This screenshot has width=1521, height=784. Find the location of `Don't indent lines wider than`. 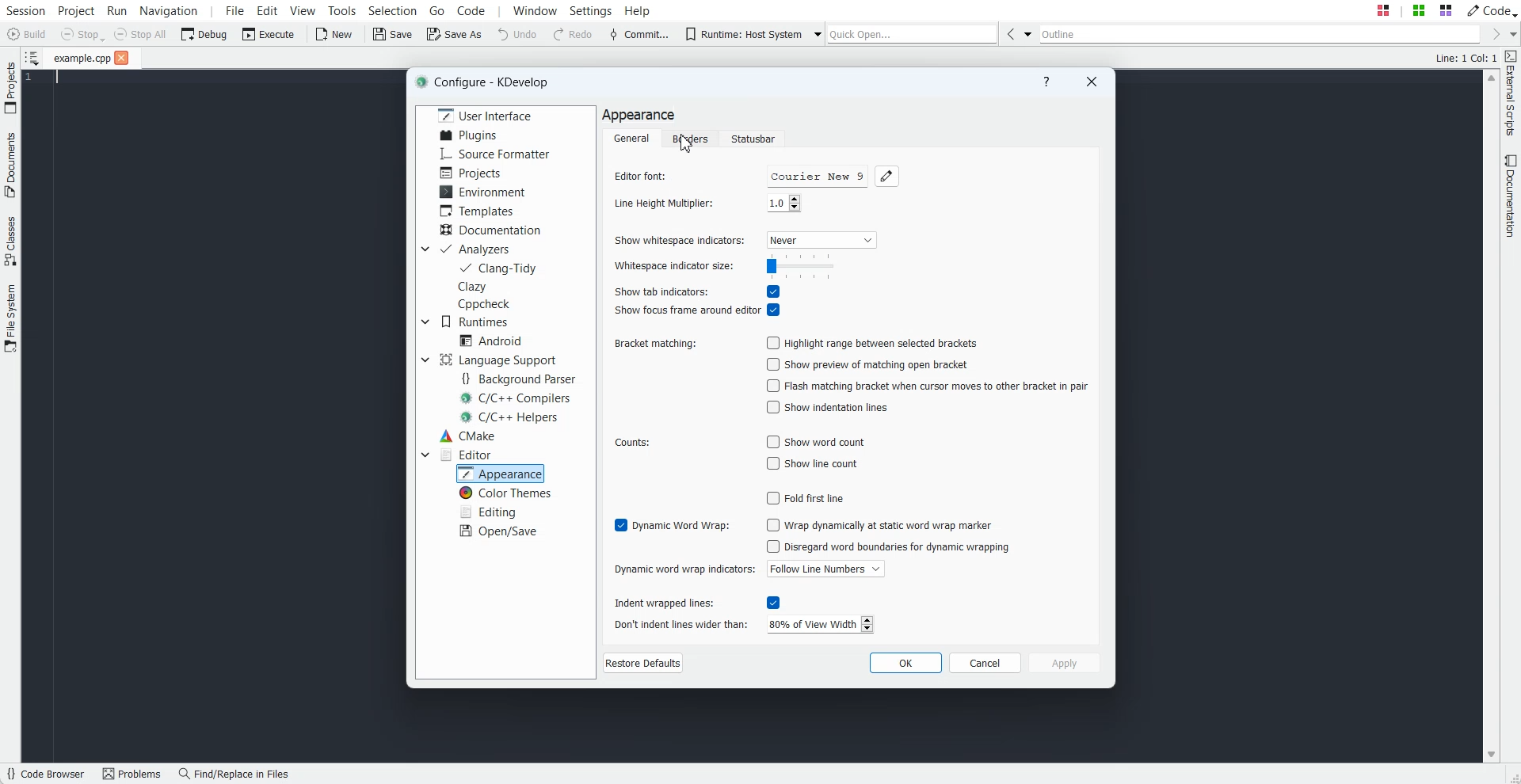

Don't indent lines wider than is located at coordinates (684, 626).